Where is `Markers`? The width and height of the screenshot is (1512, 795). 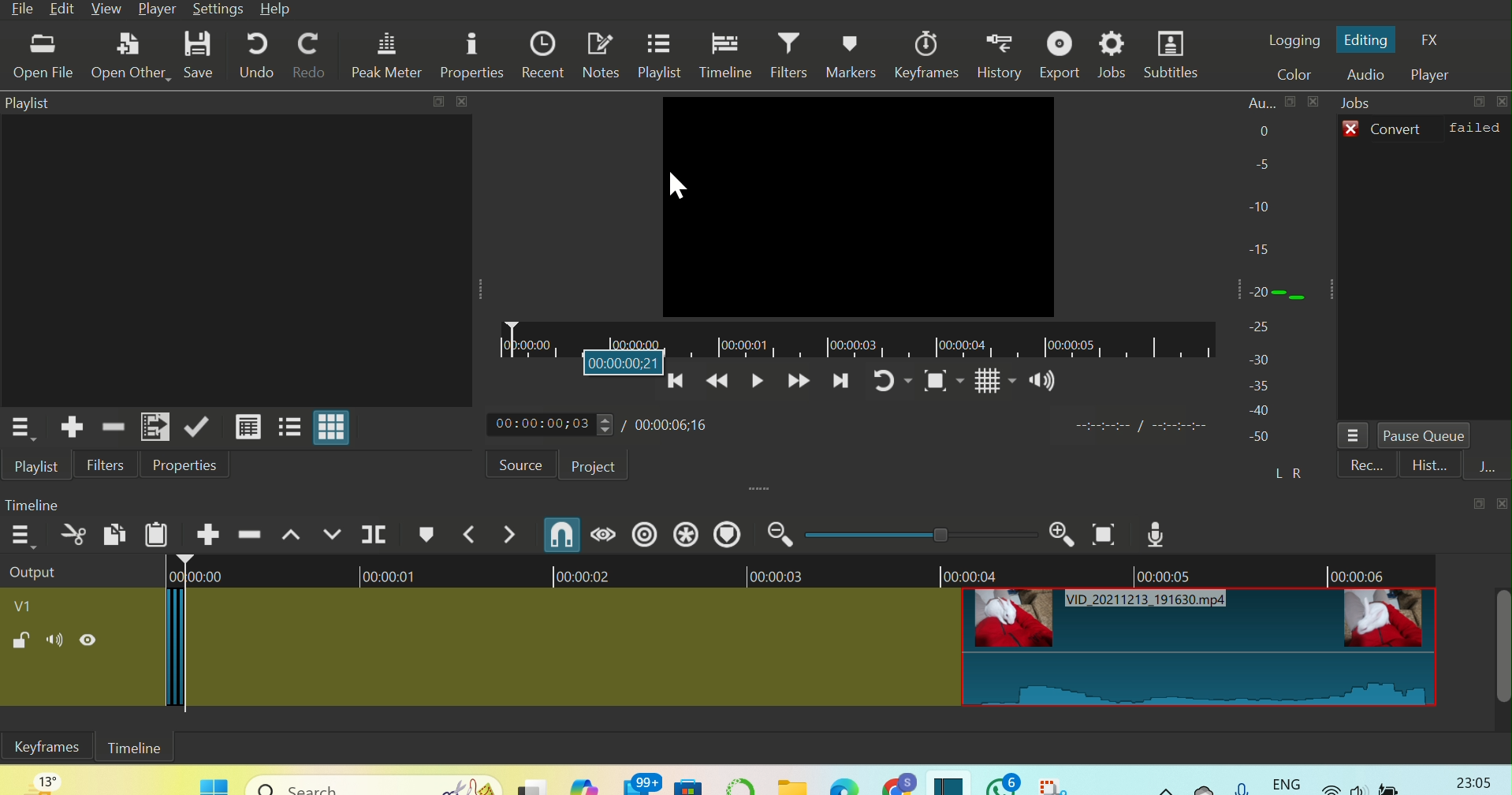 Markers is located at coordinates (851, 55).